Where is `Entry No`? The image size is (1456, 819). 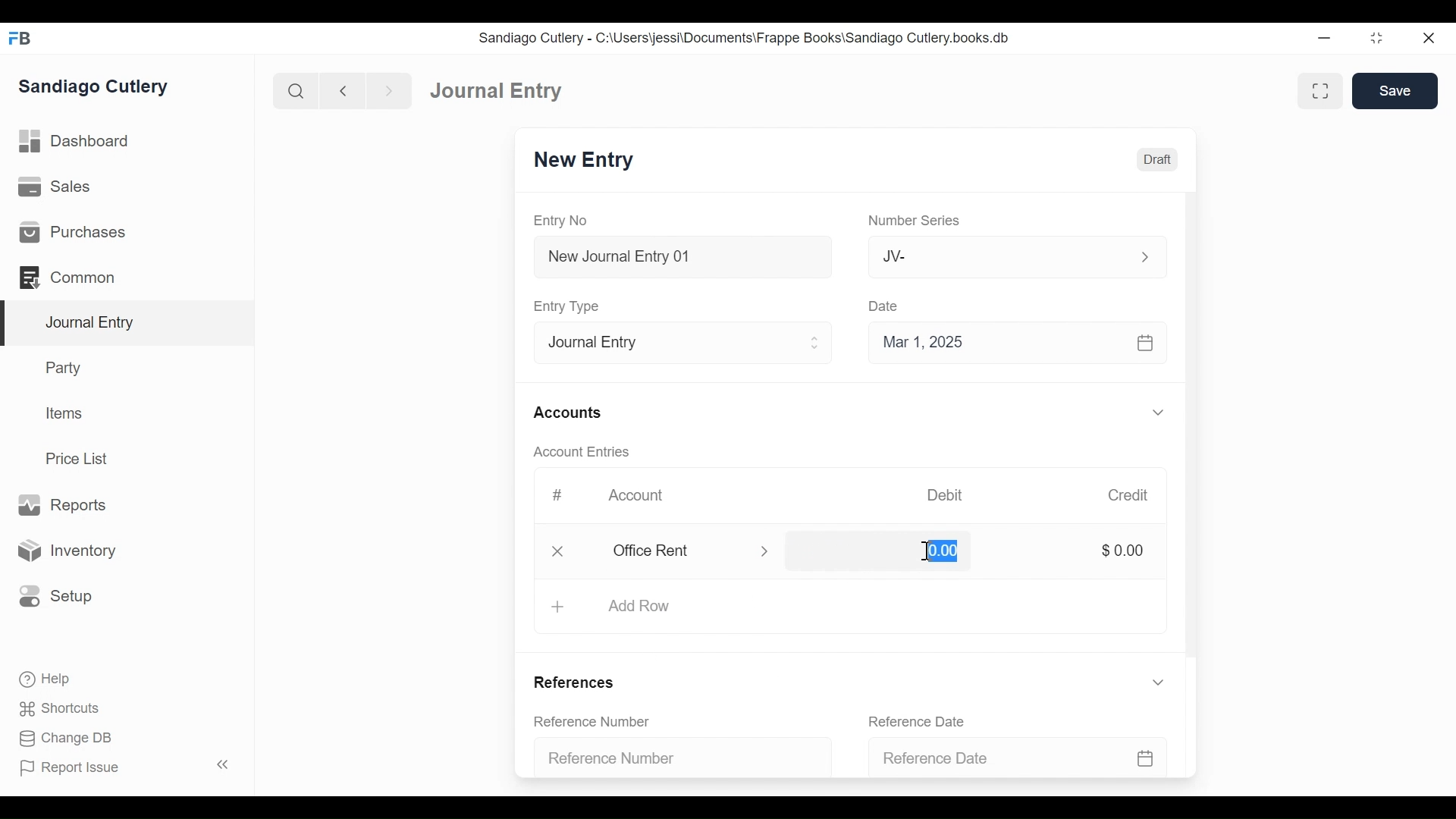 Entry No is located at coordinates (566, 221).